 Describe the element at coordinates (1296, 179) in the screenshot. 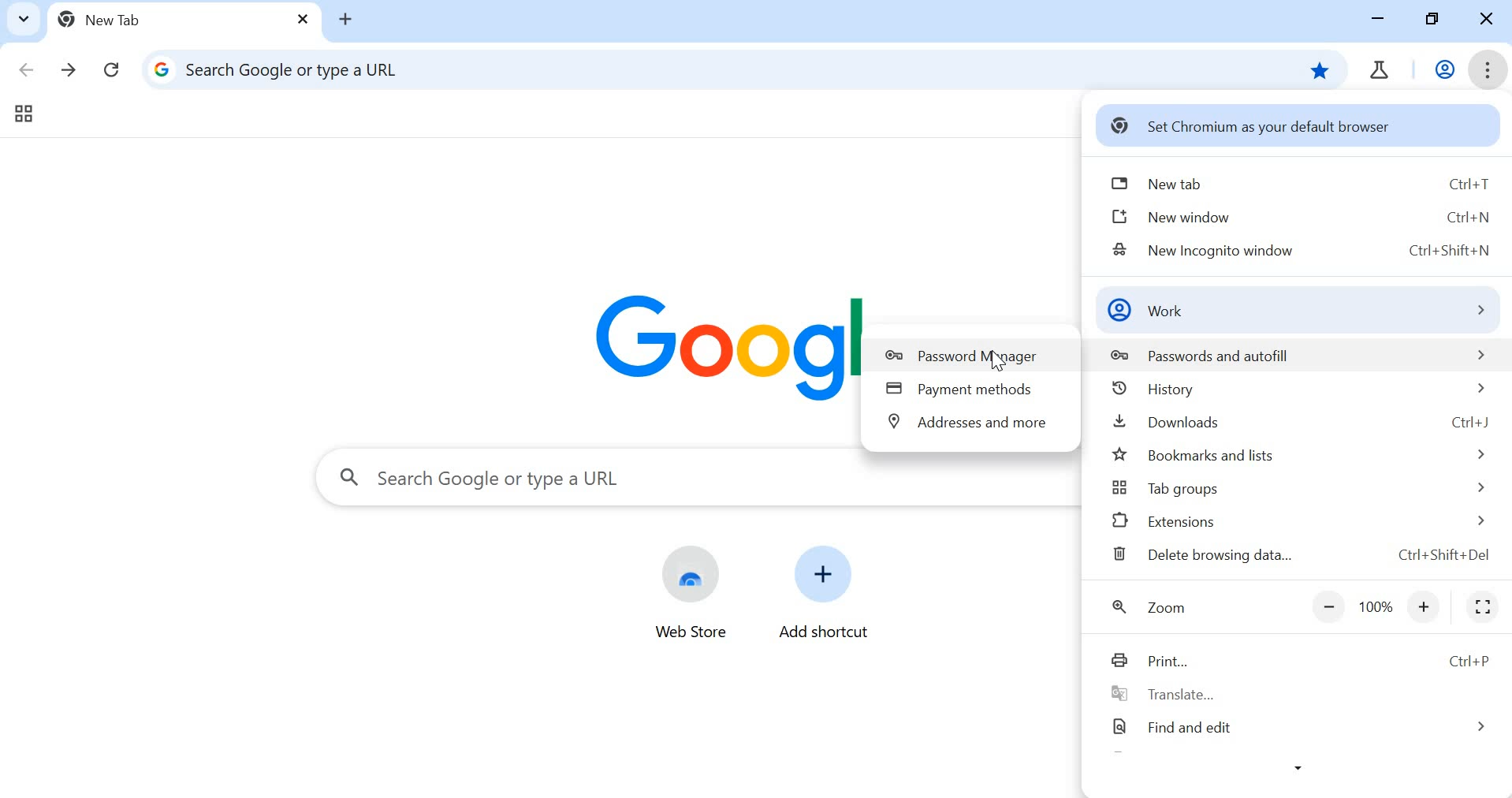

I see `new tab` at that location.